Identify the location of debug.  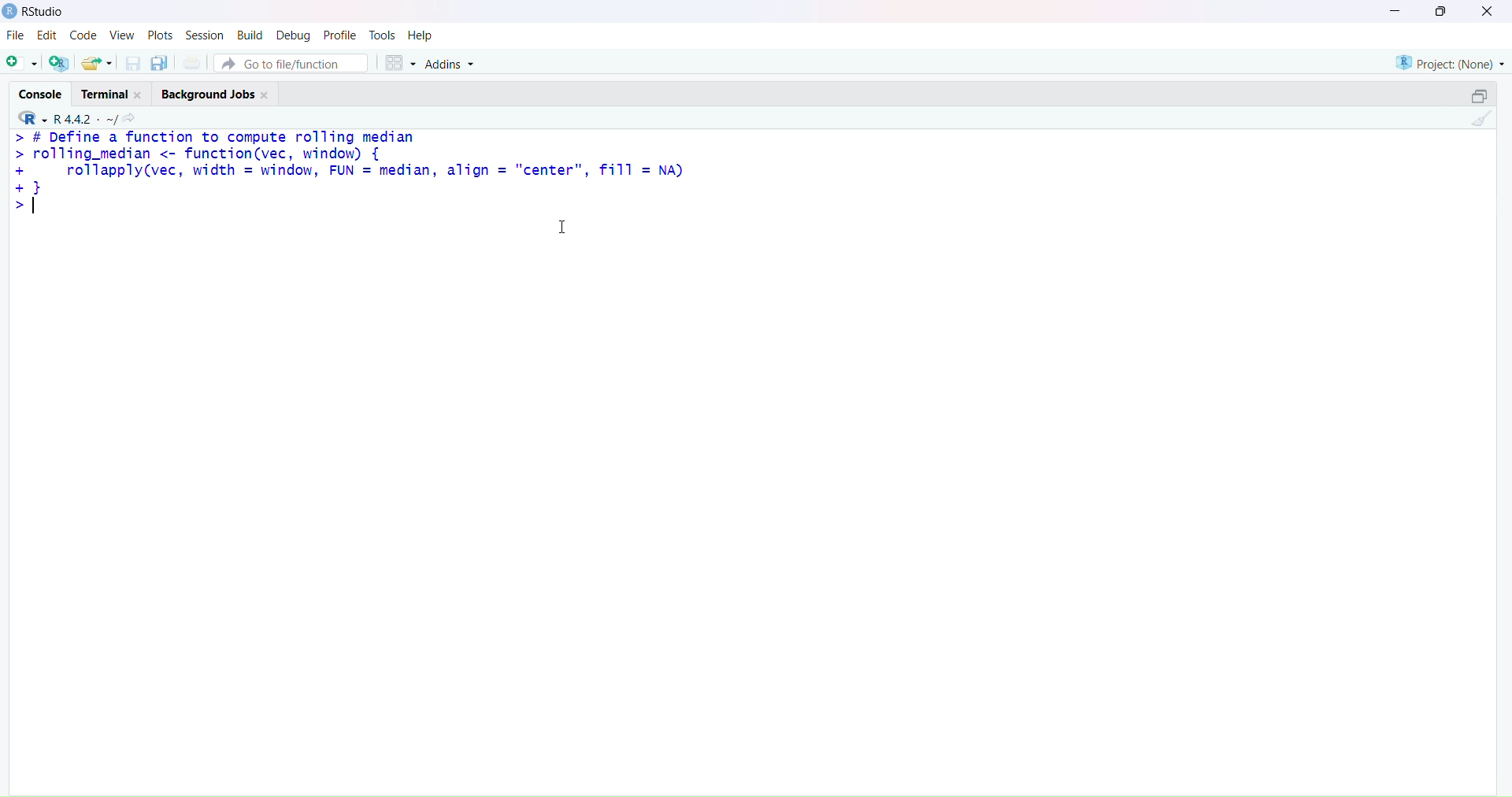
(292, 37).